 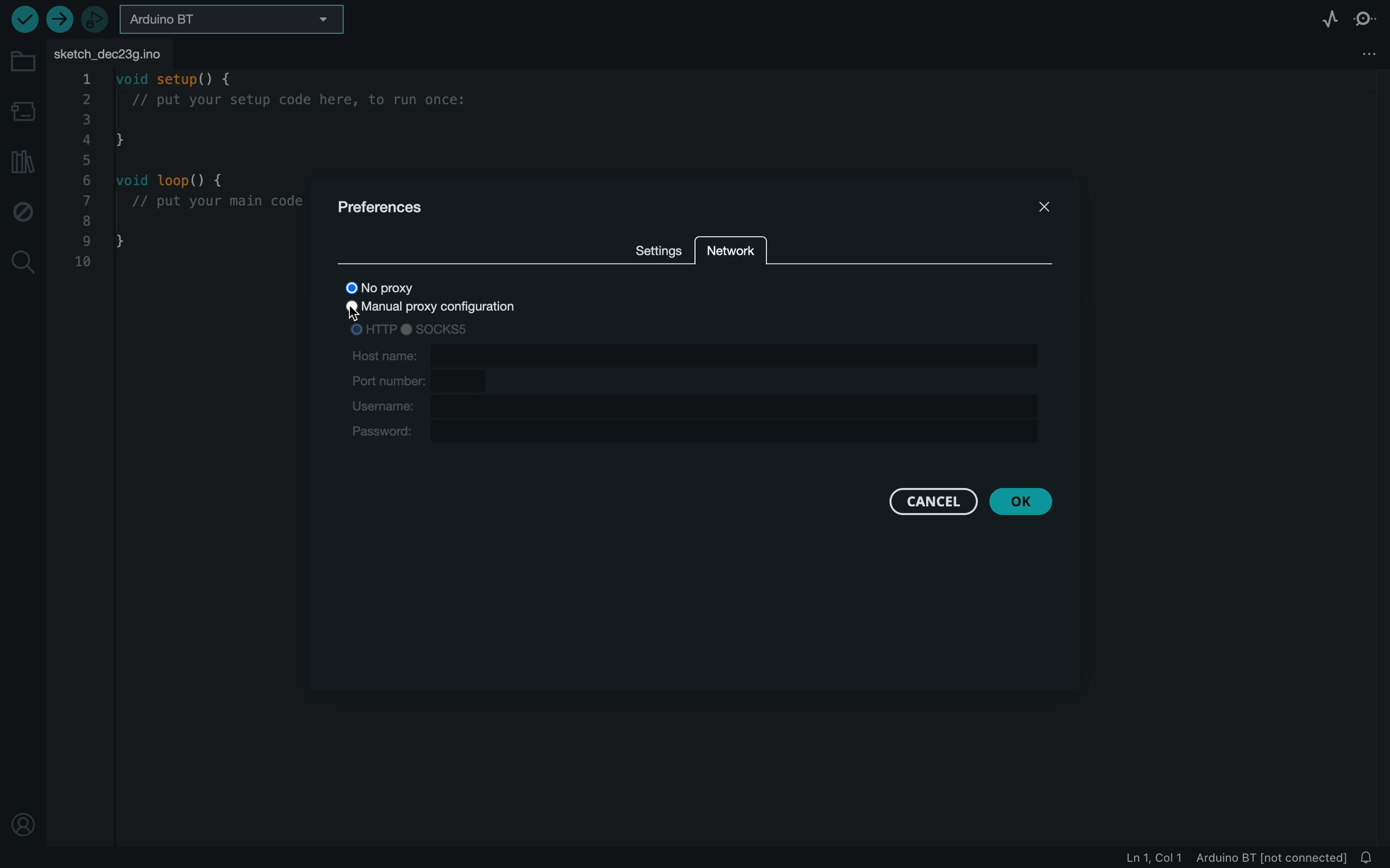 What do you see at coordinates (186, 173) in the screenshot?
I see `code` at bounding box center [186, 173].